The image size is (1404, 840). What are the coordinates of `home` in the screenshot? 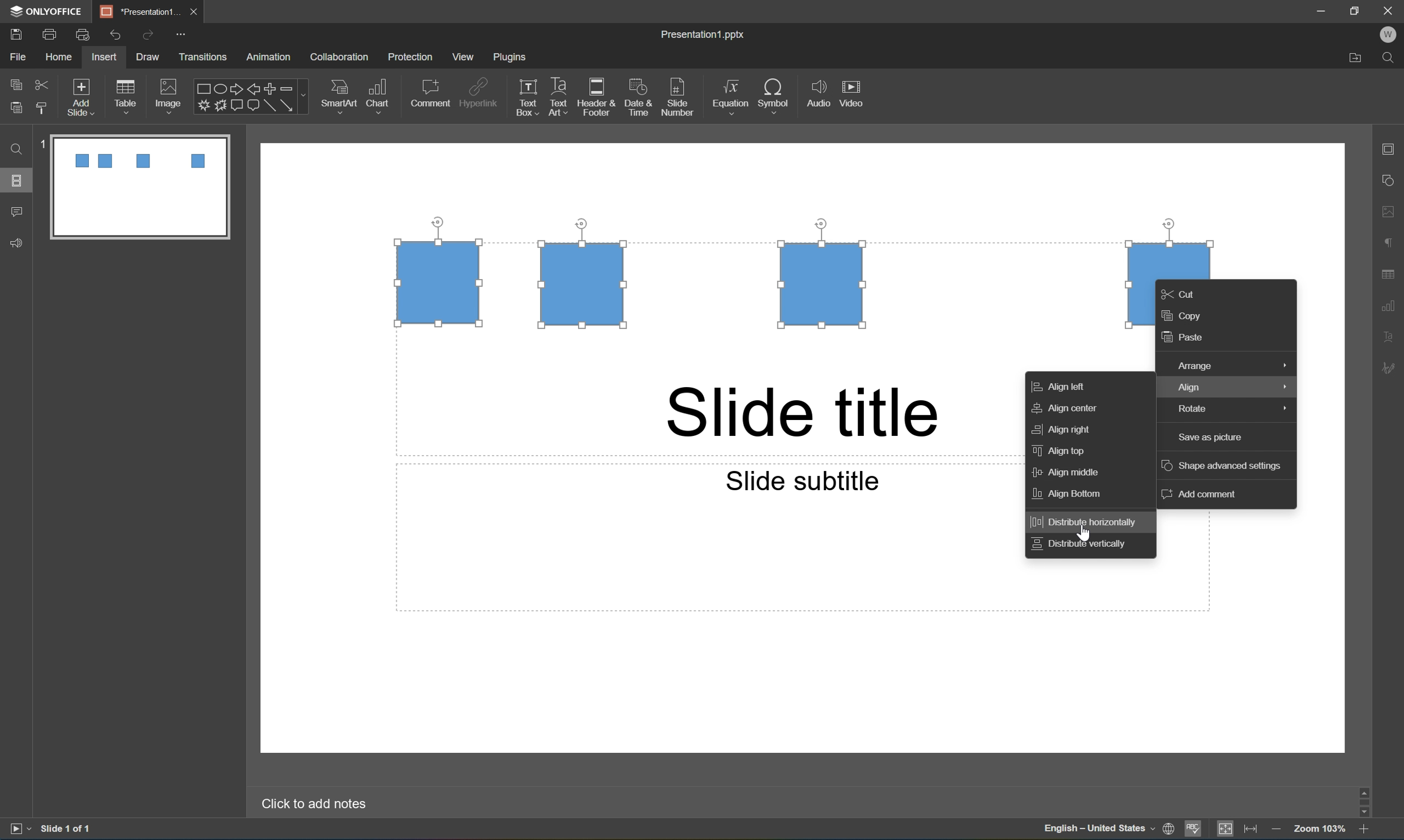 It's located at (58, 58).